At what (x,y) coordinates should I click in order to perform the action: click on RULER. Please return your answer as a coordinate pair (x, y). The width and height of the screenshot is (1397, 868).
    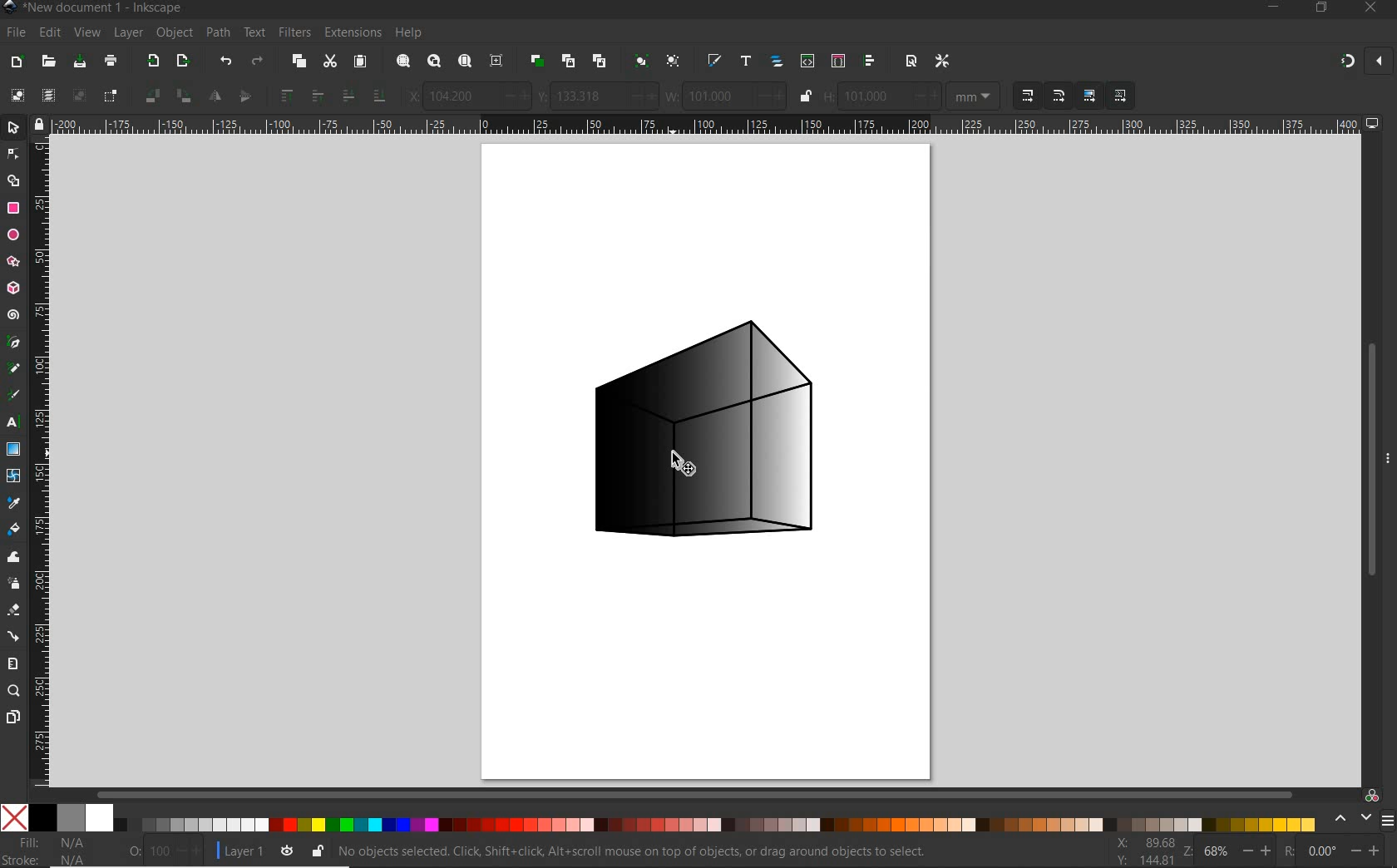
    Looking at the image, I should click on (706, 124).